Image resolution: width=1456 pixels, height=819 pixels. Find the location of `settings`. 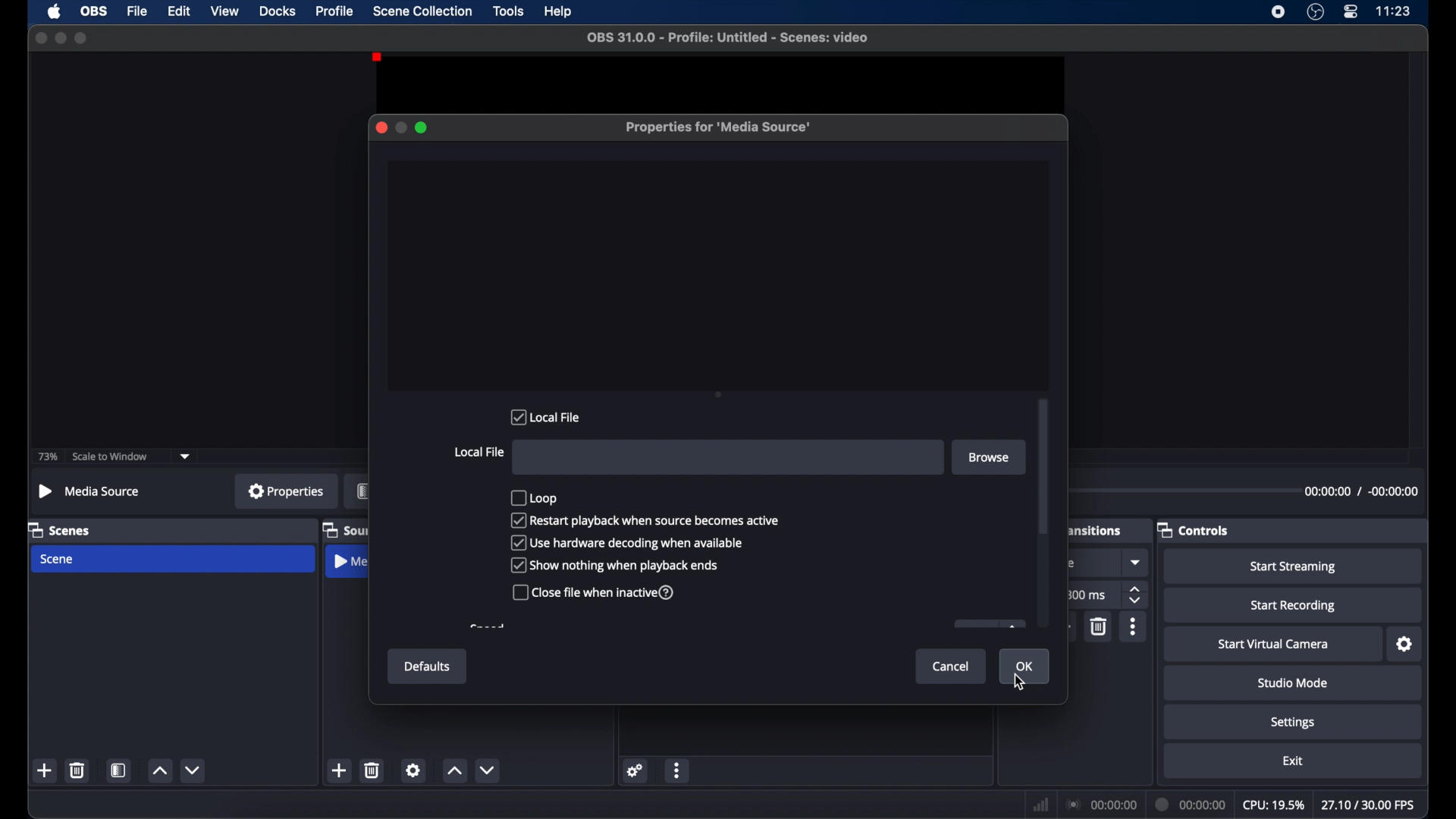

settings is located at coordinates (413, 770).